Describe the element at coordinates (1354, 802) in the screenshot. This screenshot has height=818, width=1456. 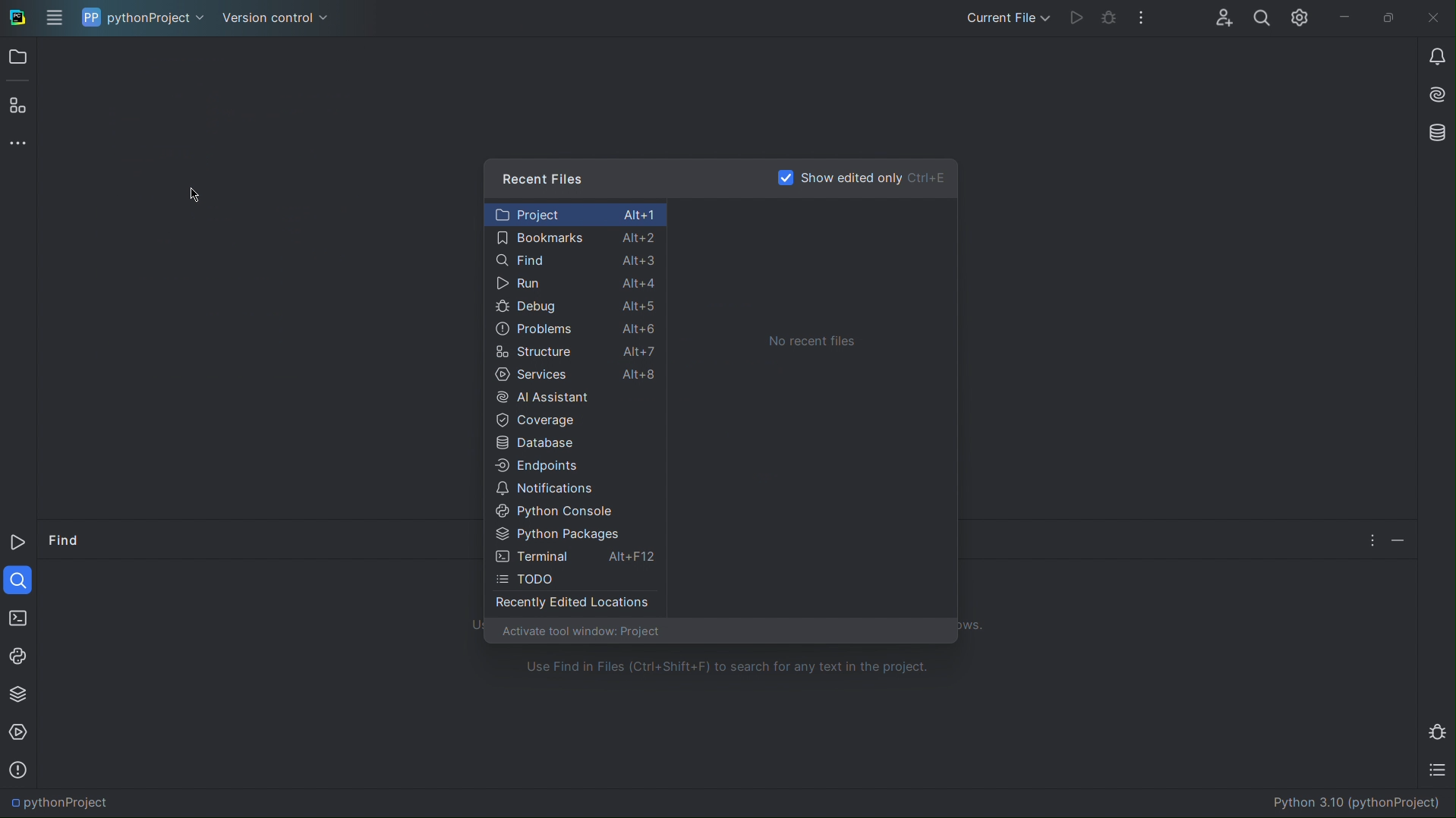
I see `Python 3.10 (PythonReoject)` at that location.